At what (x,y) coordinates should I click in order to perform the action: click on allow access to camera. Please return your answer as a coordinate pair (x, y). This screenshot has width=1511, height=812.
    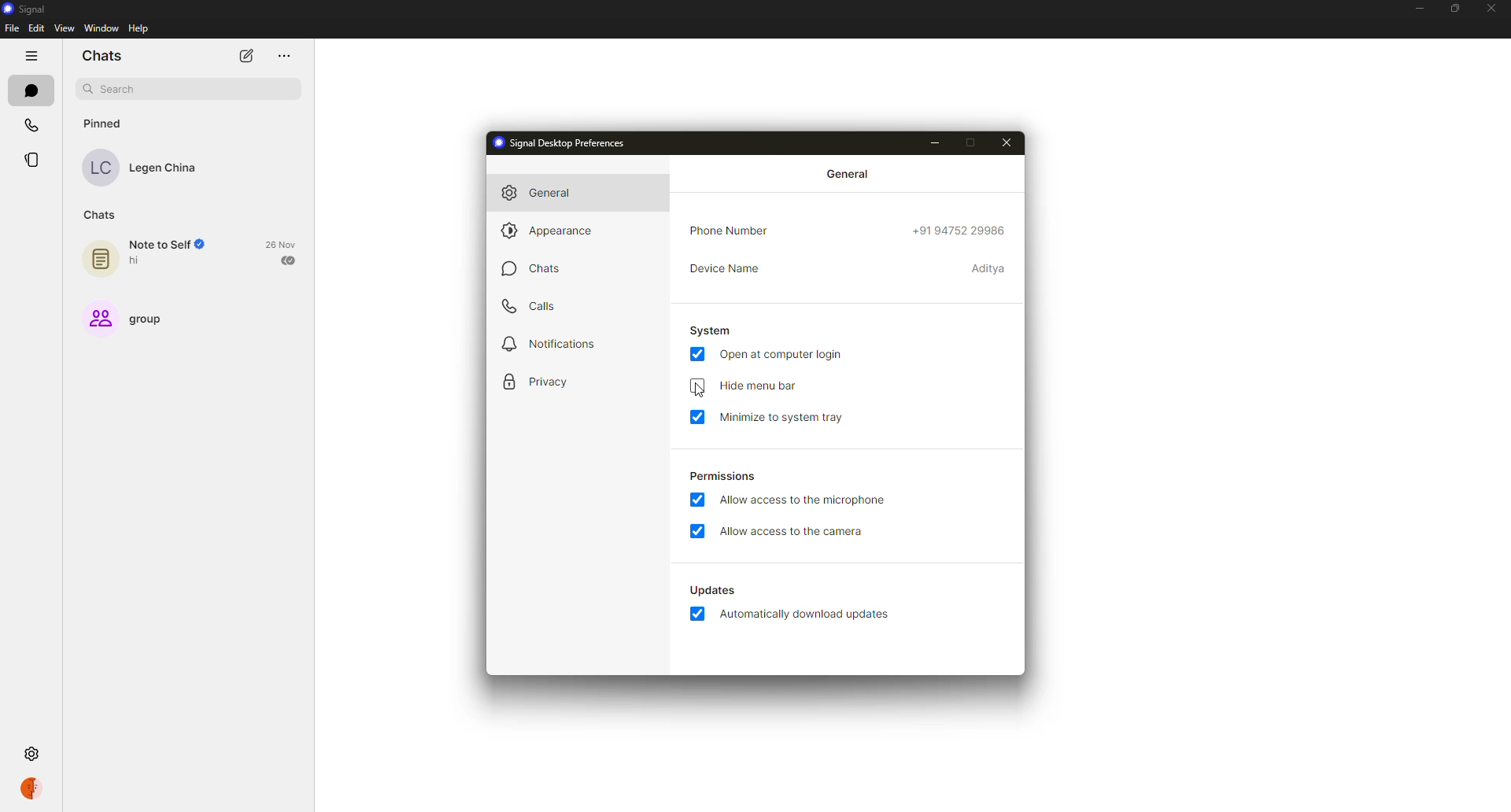
    Looking at the image, I should click on (795, 533).